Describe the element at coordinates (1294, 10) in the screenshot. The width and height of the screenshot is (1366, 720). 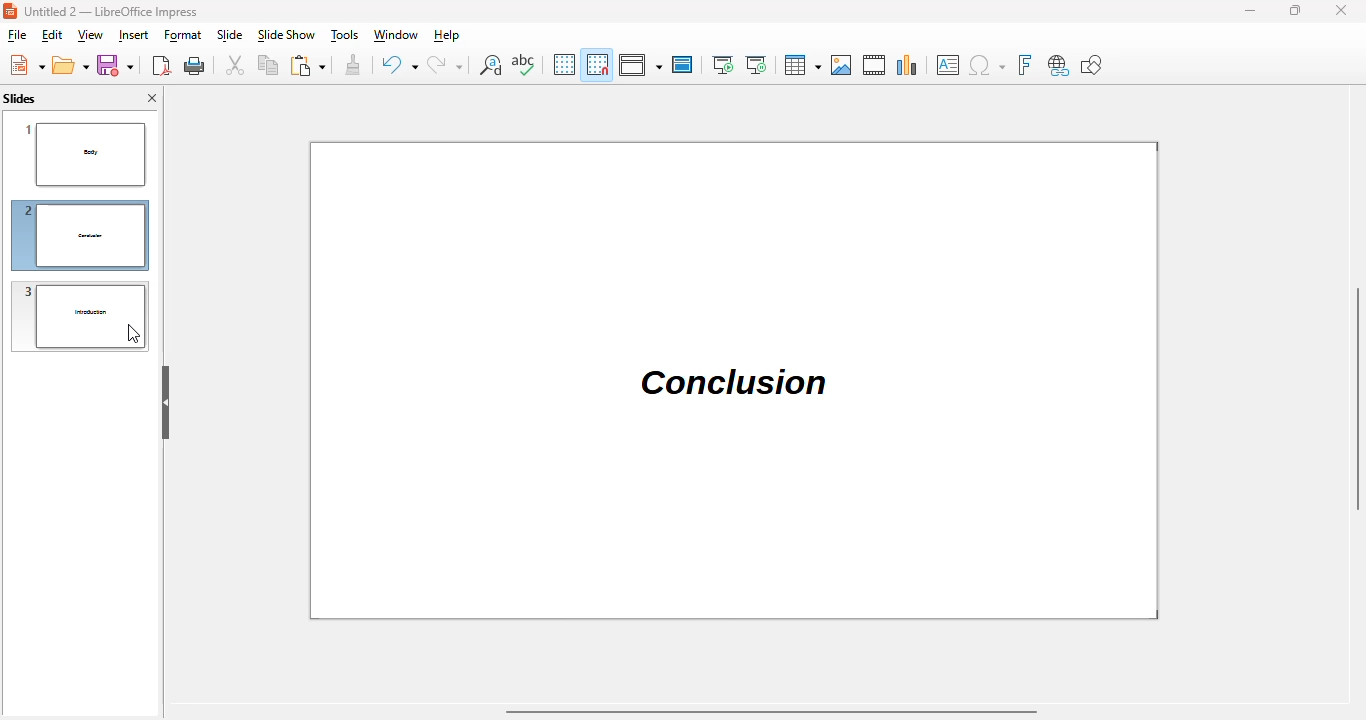
I see `maximize` at that location.